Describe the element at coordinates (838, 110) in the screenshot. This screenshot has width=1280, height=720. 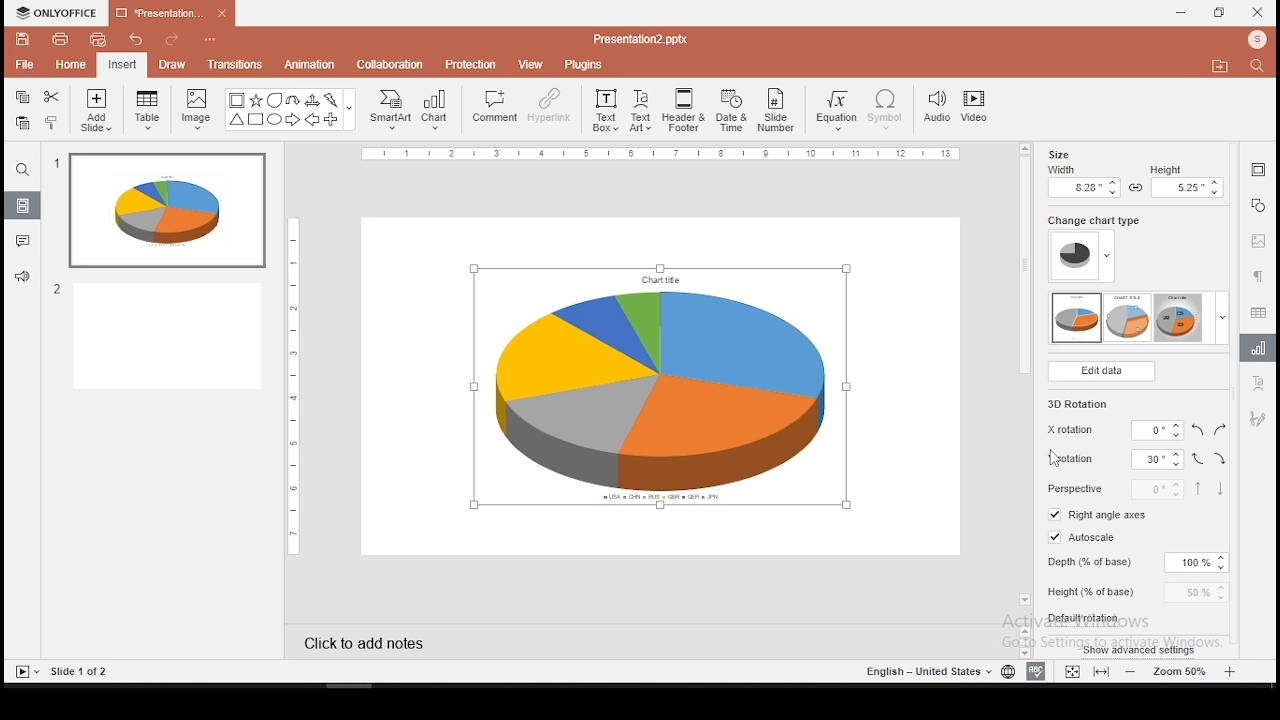
I see `equation` at that location.